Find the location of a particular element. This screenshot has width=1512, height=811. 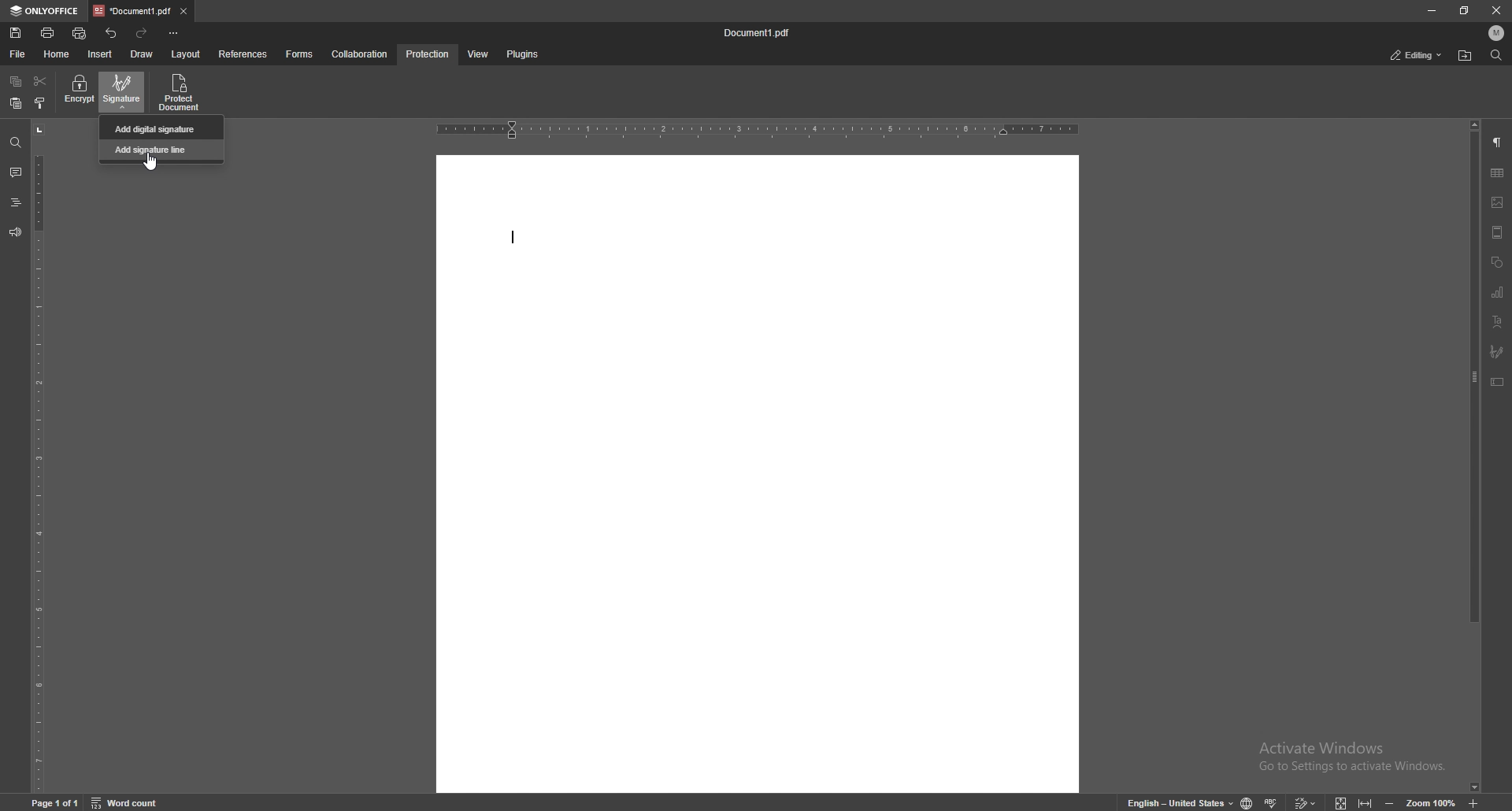

copy style is located at coordinates (41, 103).